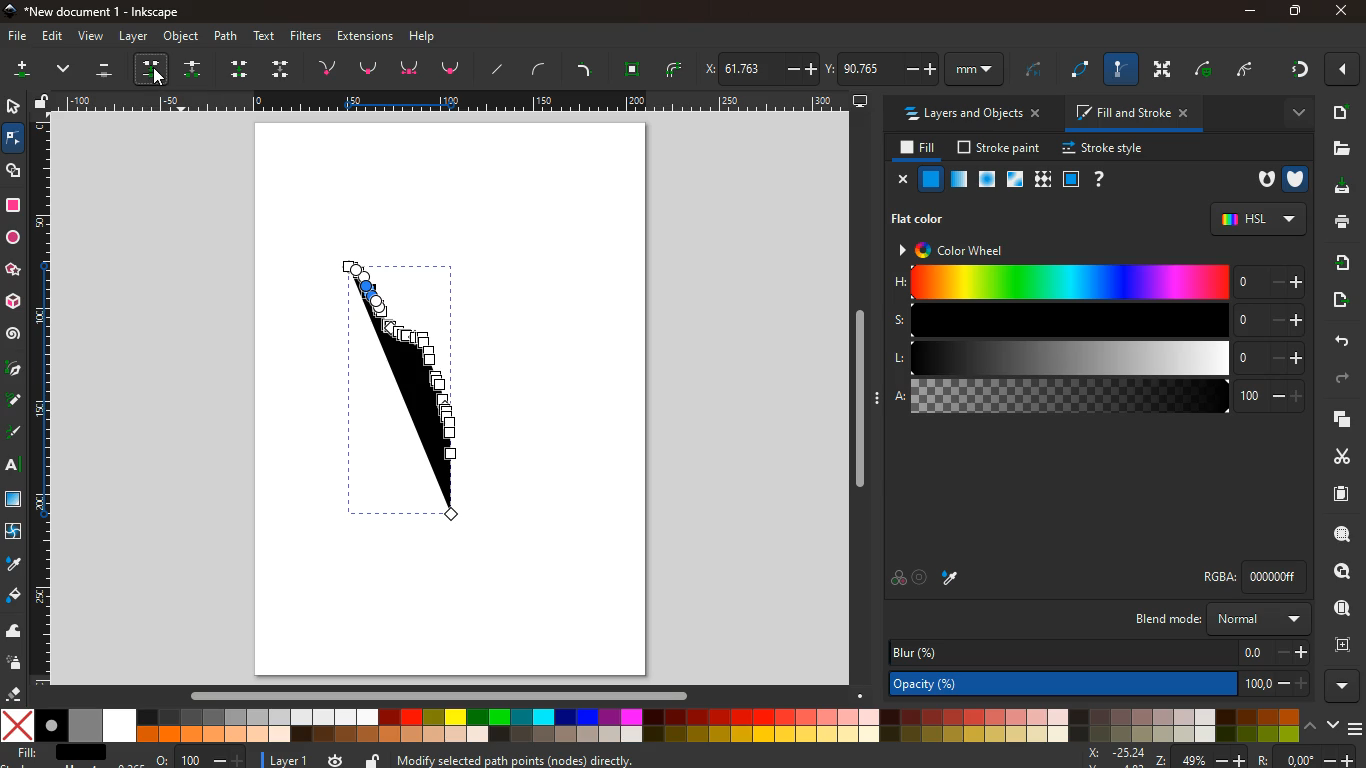  I want to click on send, so click(1343, 302).